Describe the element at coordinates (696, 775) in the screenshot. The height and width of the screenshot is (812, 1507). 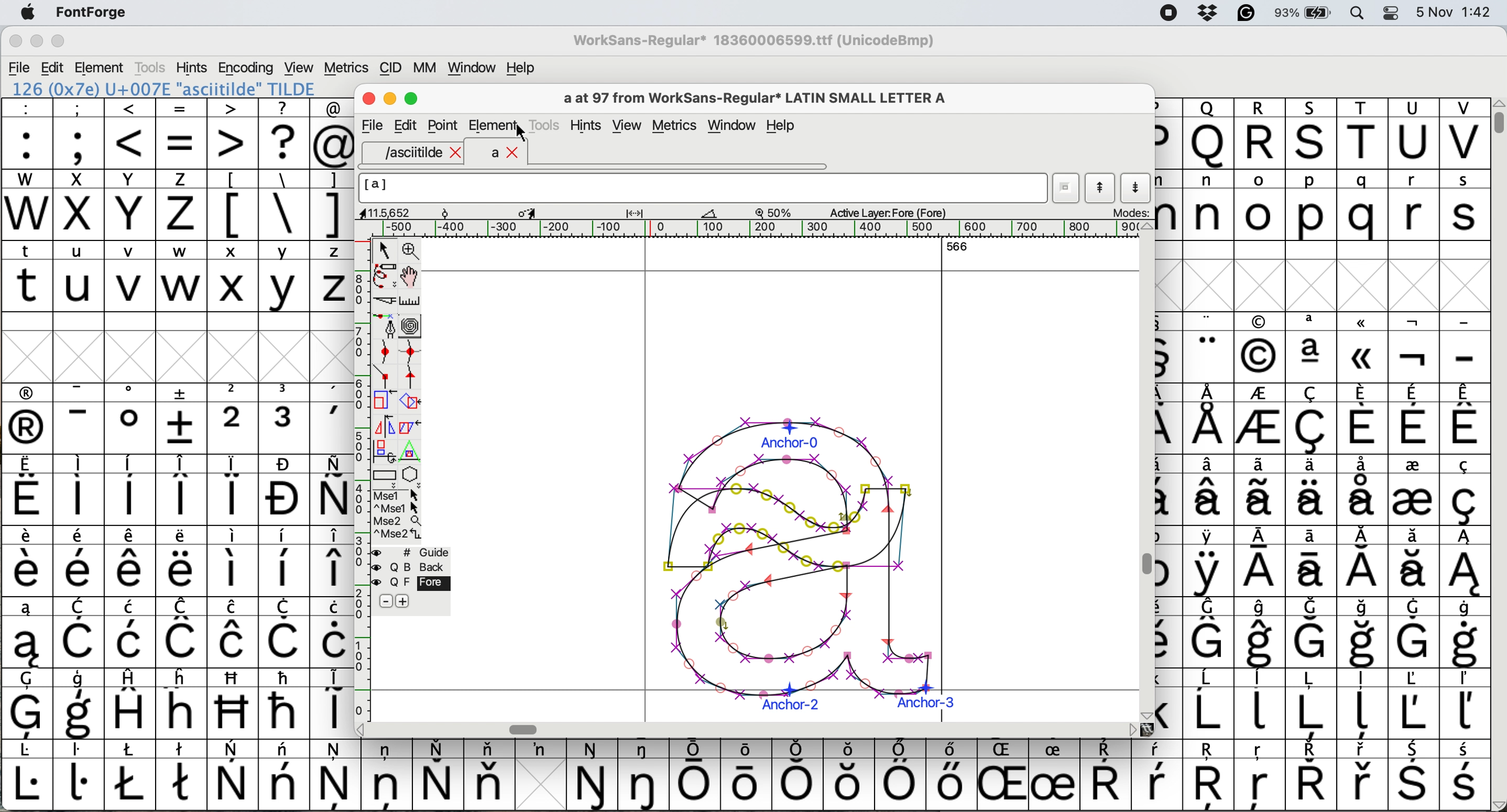
I see `symbol` at that location.